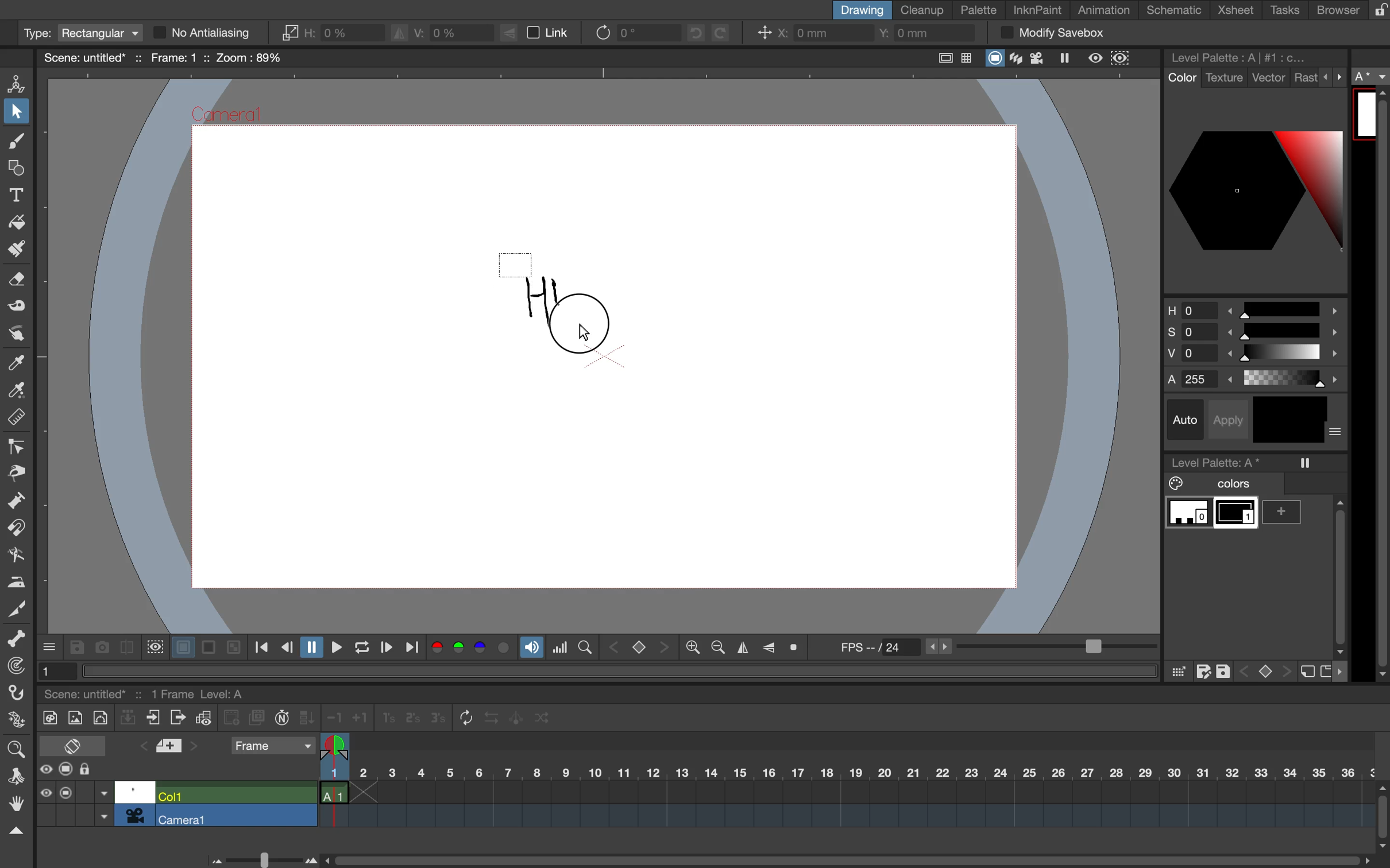 This screenshot has width=1390, height=868. What do you see at coordinates (16, 169) in the screenshot?
I see `geometric tool` at bounding box center [16, 169].